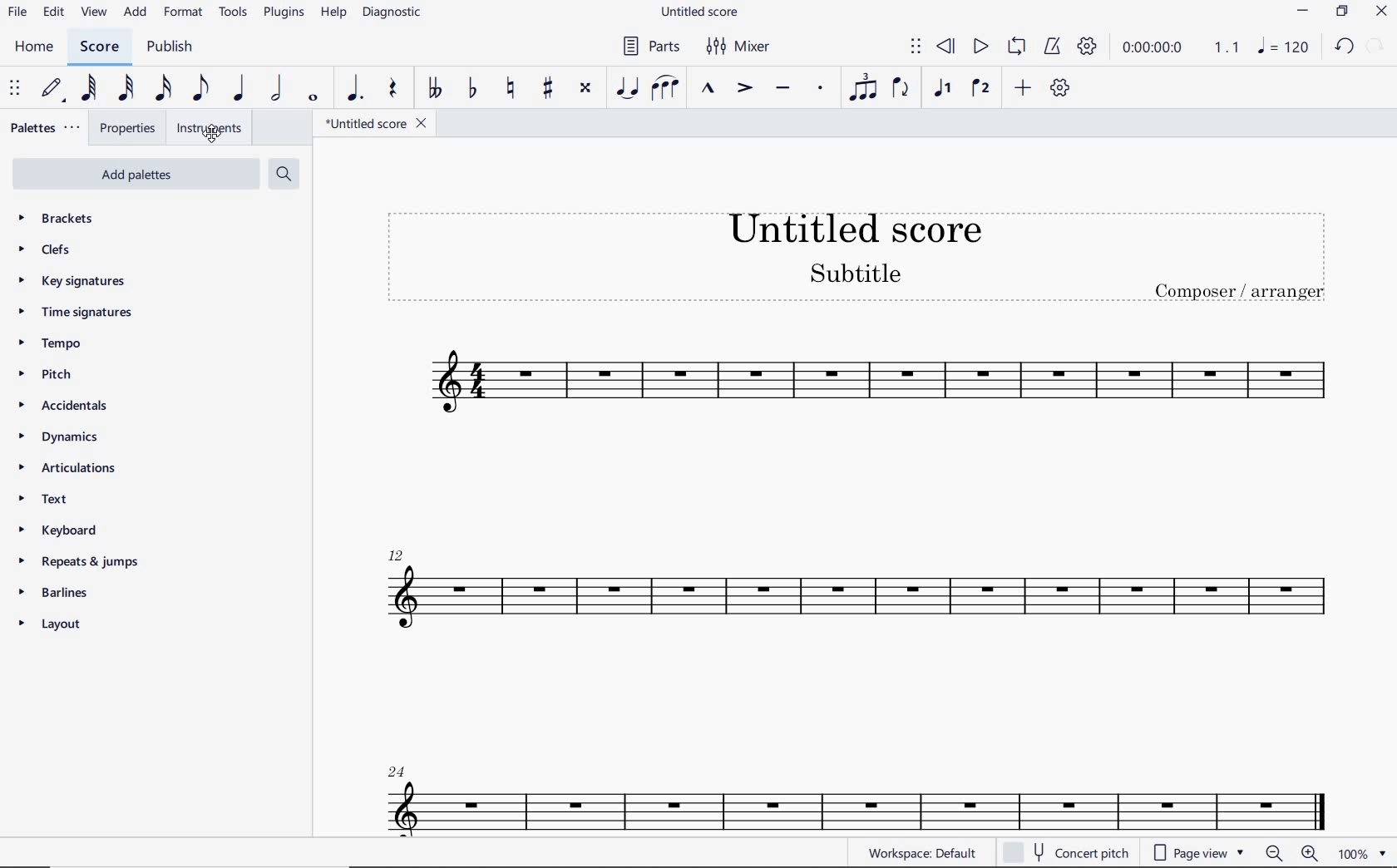  I want to click on VOICE 1, so click(941, 90).